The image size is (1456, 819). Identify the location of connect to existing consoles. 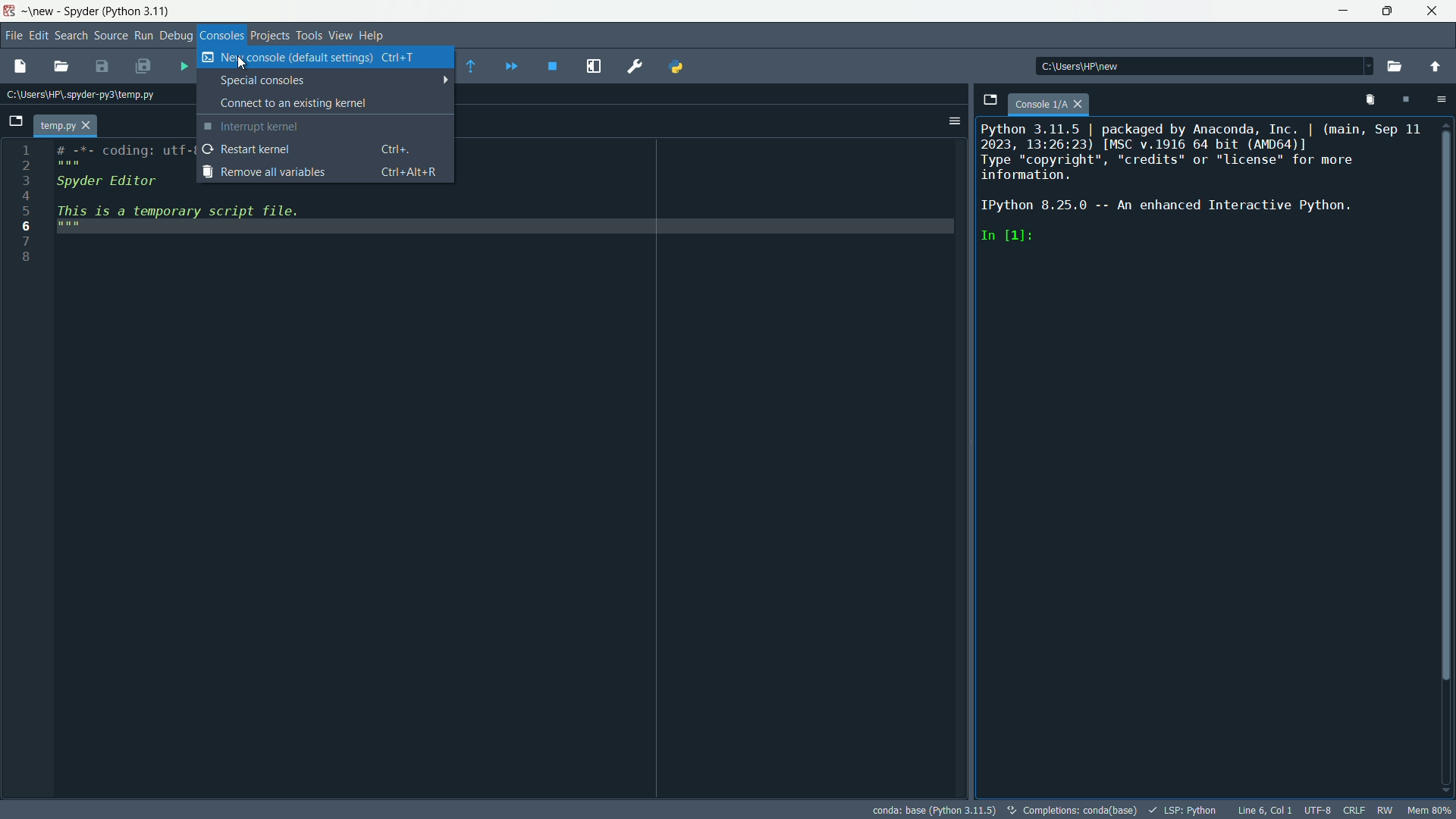
(306, 104).